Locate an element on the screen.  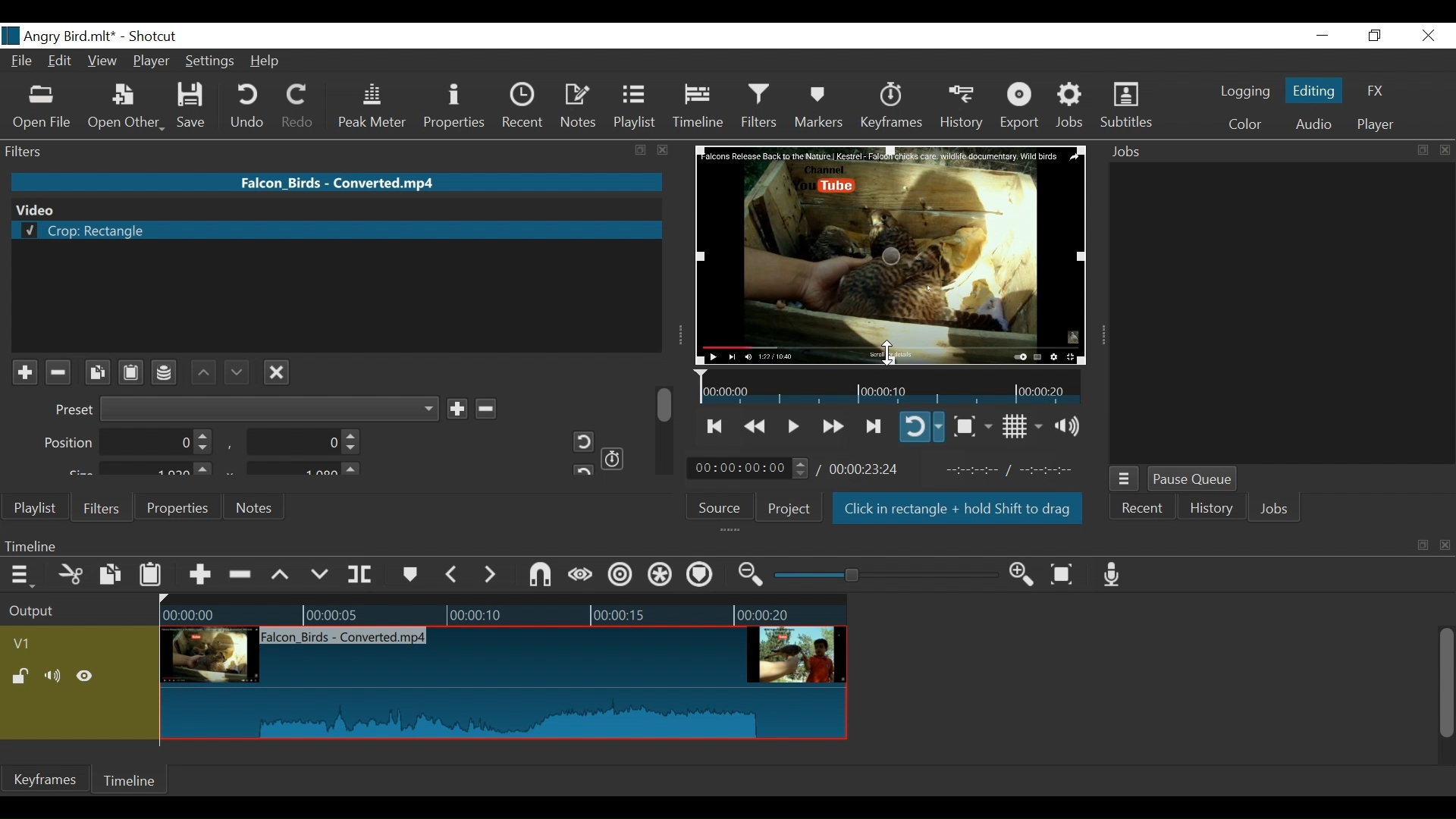
position is located at coordinates (129, 443).